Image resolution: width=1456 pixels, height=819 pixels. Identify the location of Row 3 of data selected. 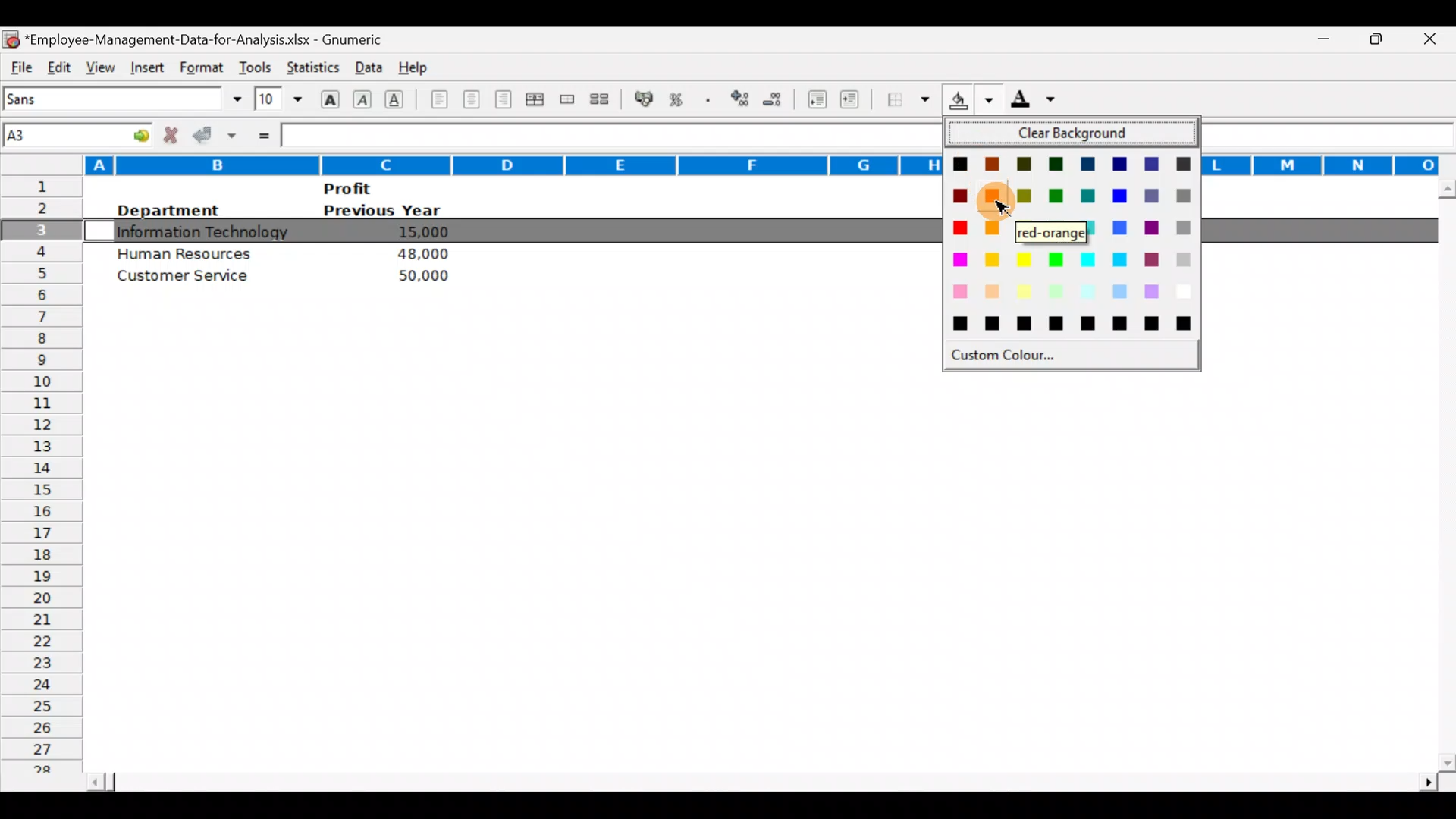
(510, 231).